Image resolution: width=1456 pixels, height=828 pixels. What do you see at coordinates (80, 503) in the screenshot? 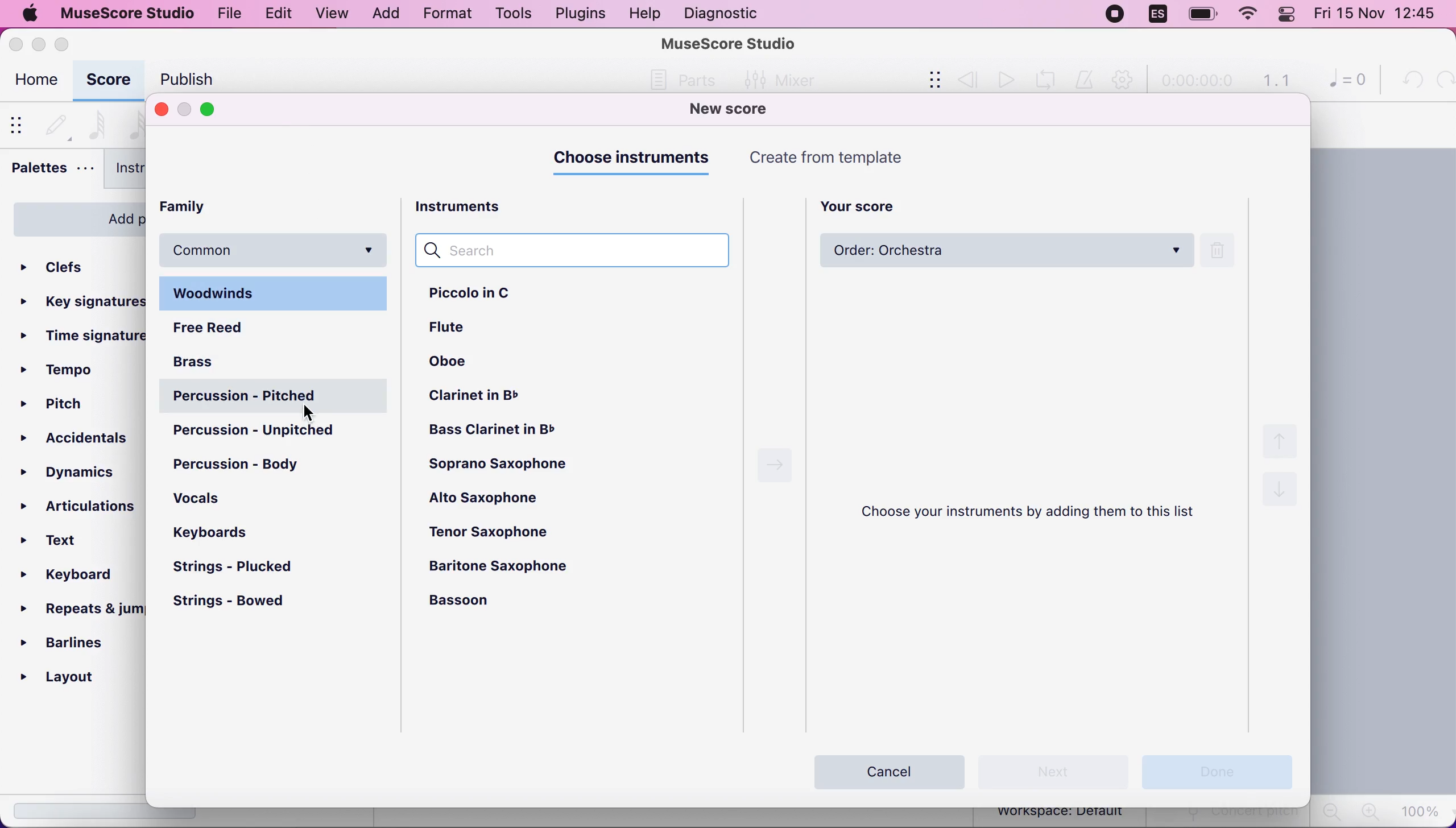
I see `articulations` at bounding box center [80, 503].